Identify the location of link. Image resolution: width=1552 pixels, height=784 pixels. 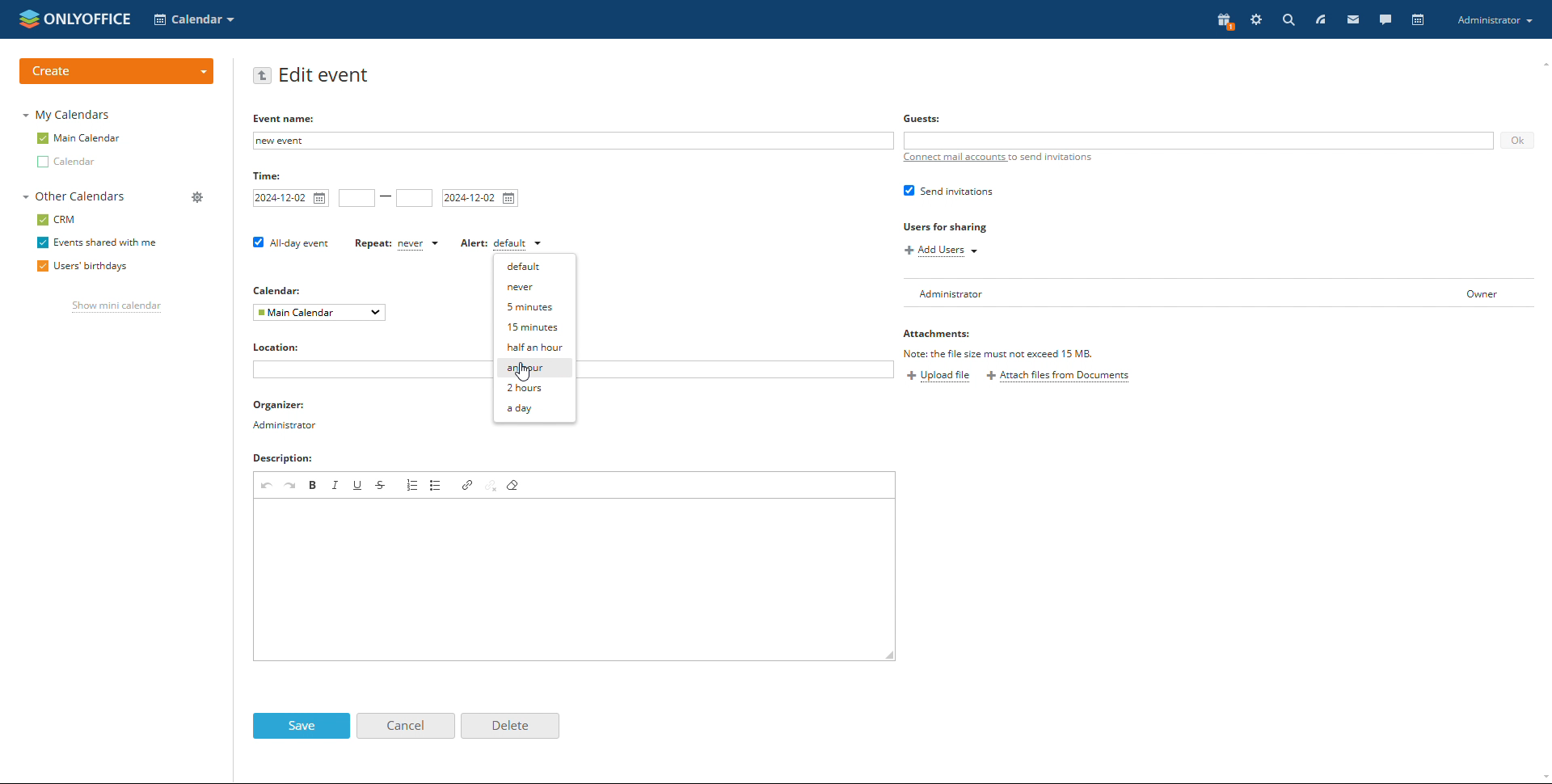
(466, 484).